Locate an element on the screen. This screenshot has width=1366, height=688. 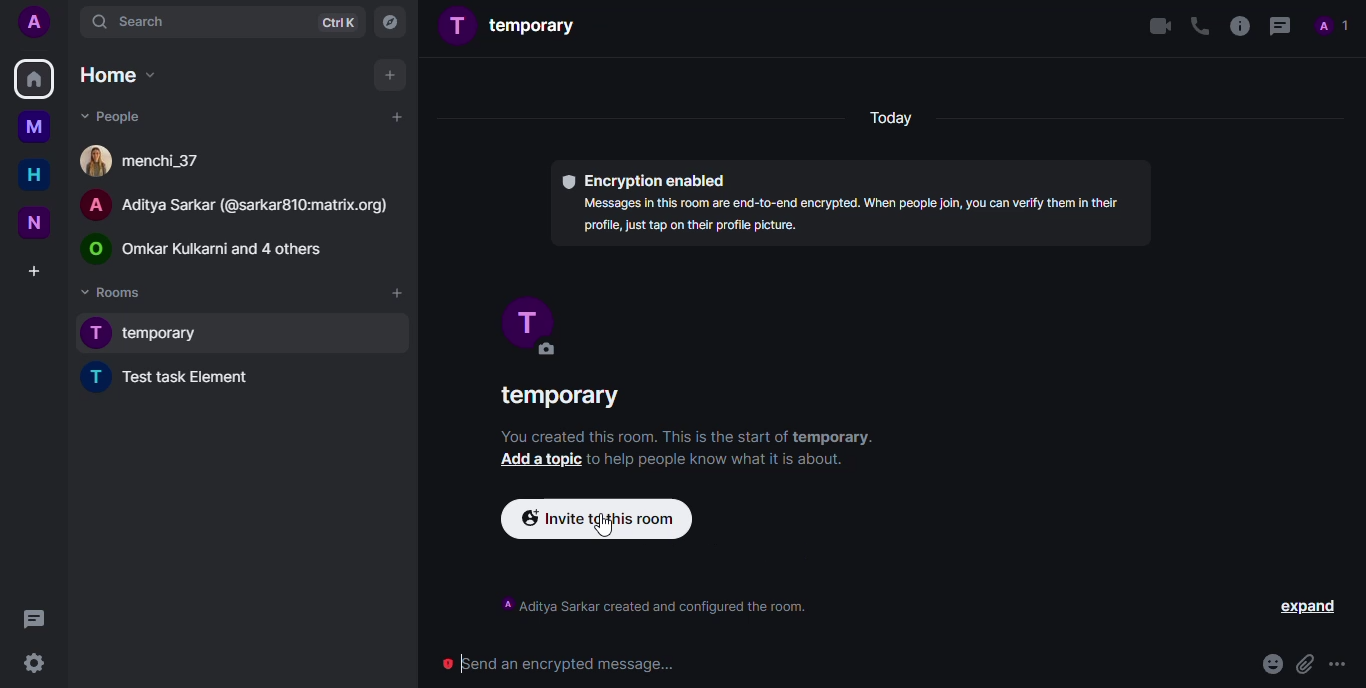
T temporary is located at coordinates (510, 29).